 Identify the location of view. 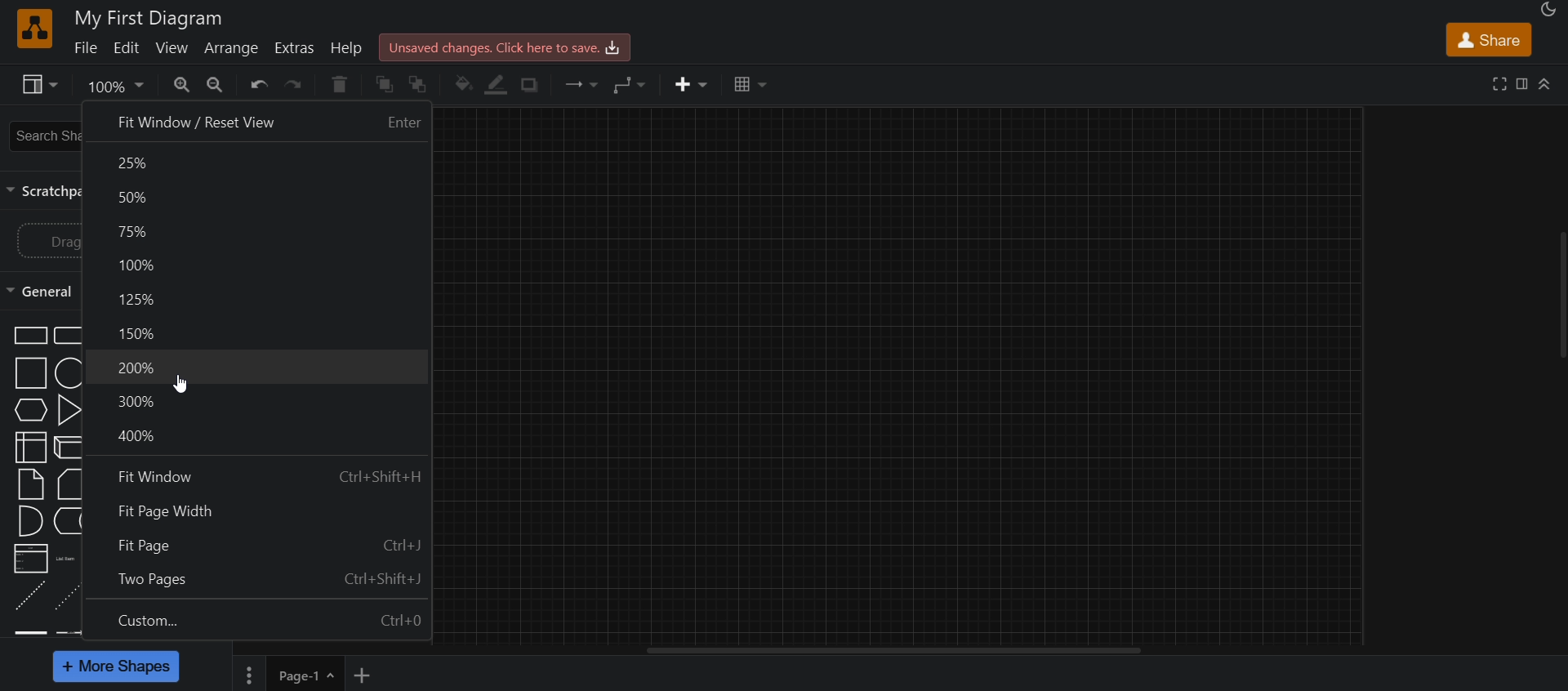
(171, 47).